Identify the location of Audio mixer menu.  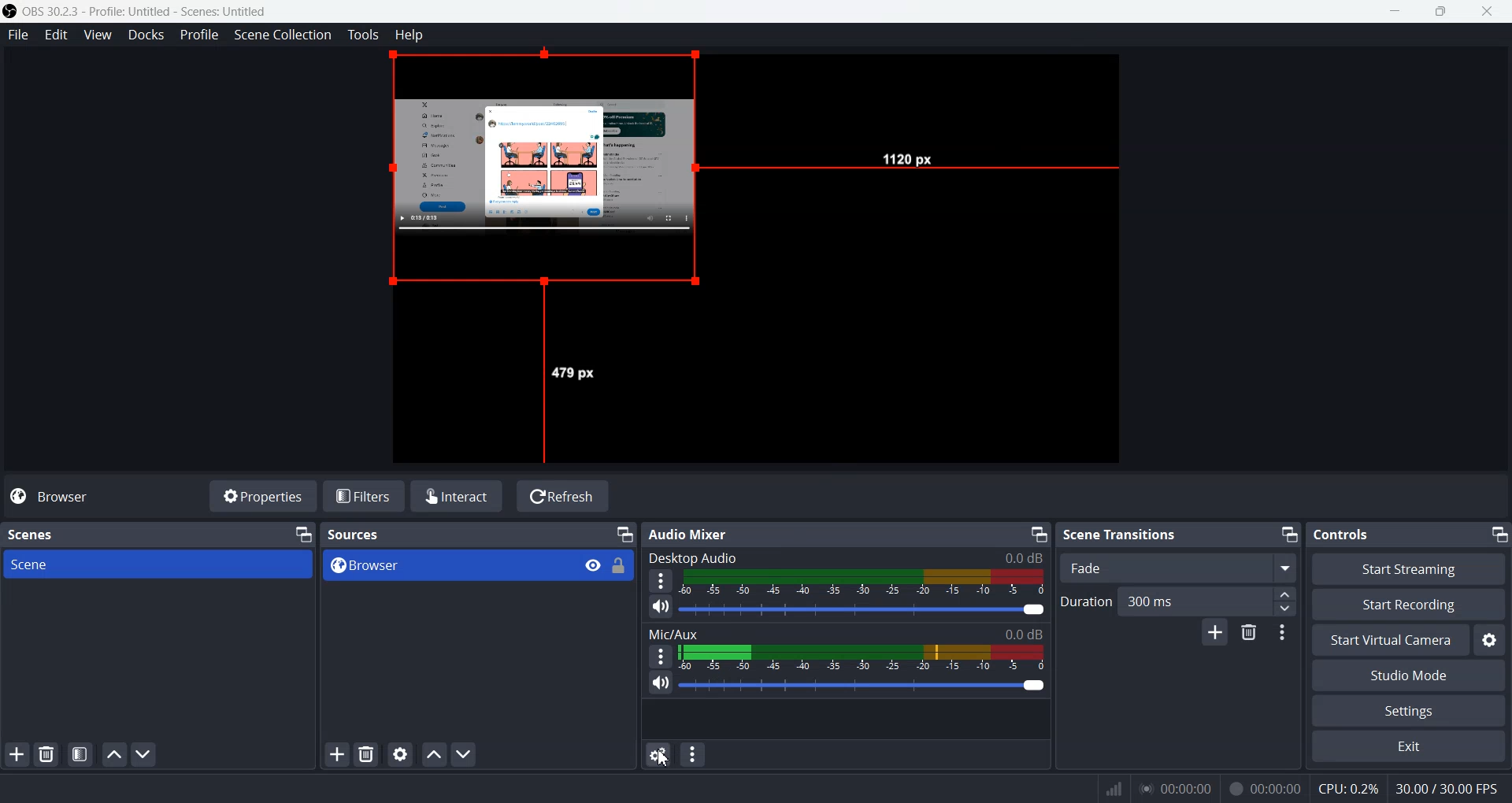
(694, 754).